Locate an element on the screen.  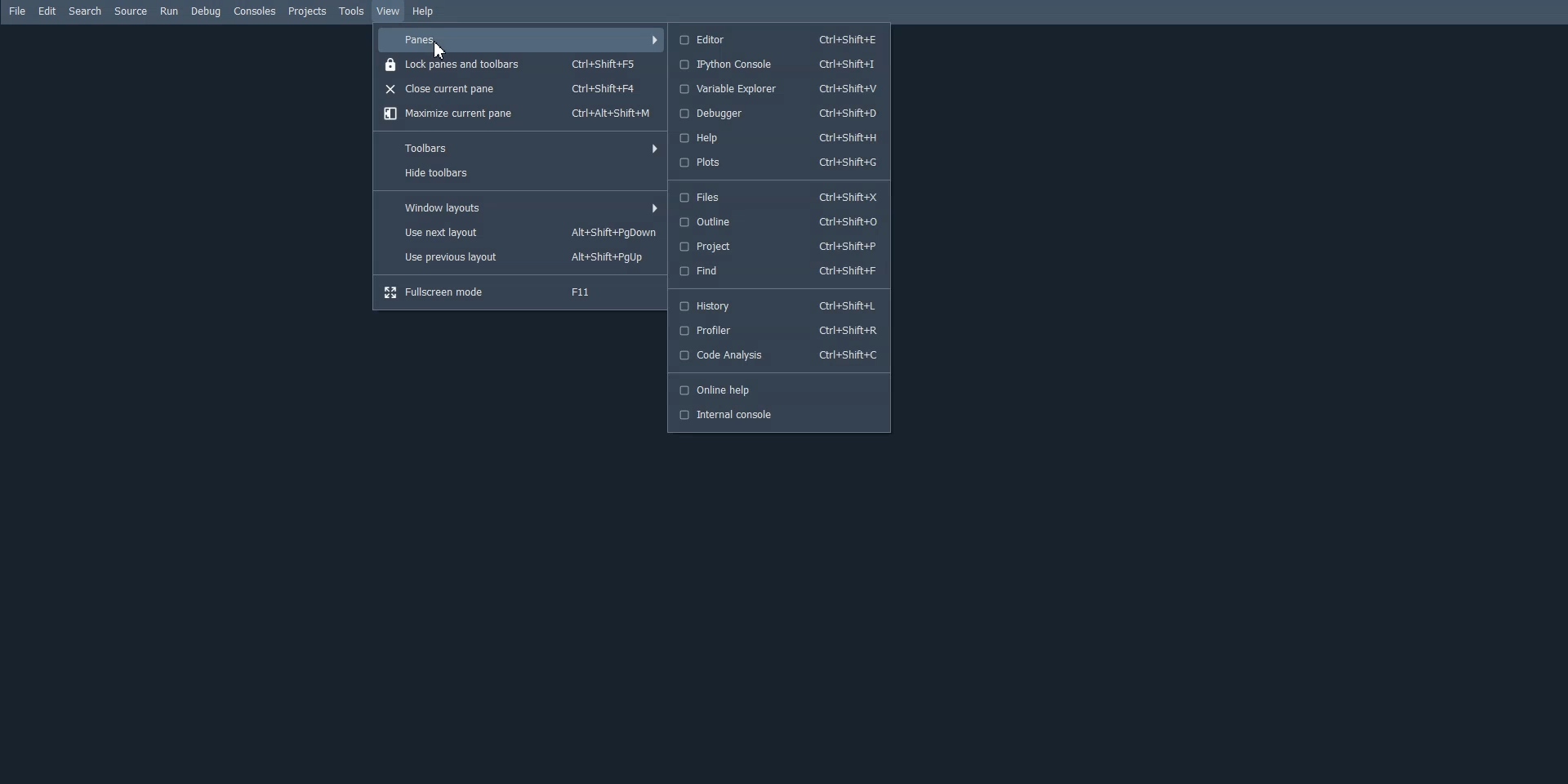
Find is located at coordinates (776, 271).